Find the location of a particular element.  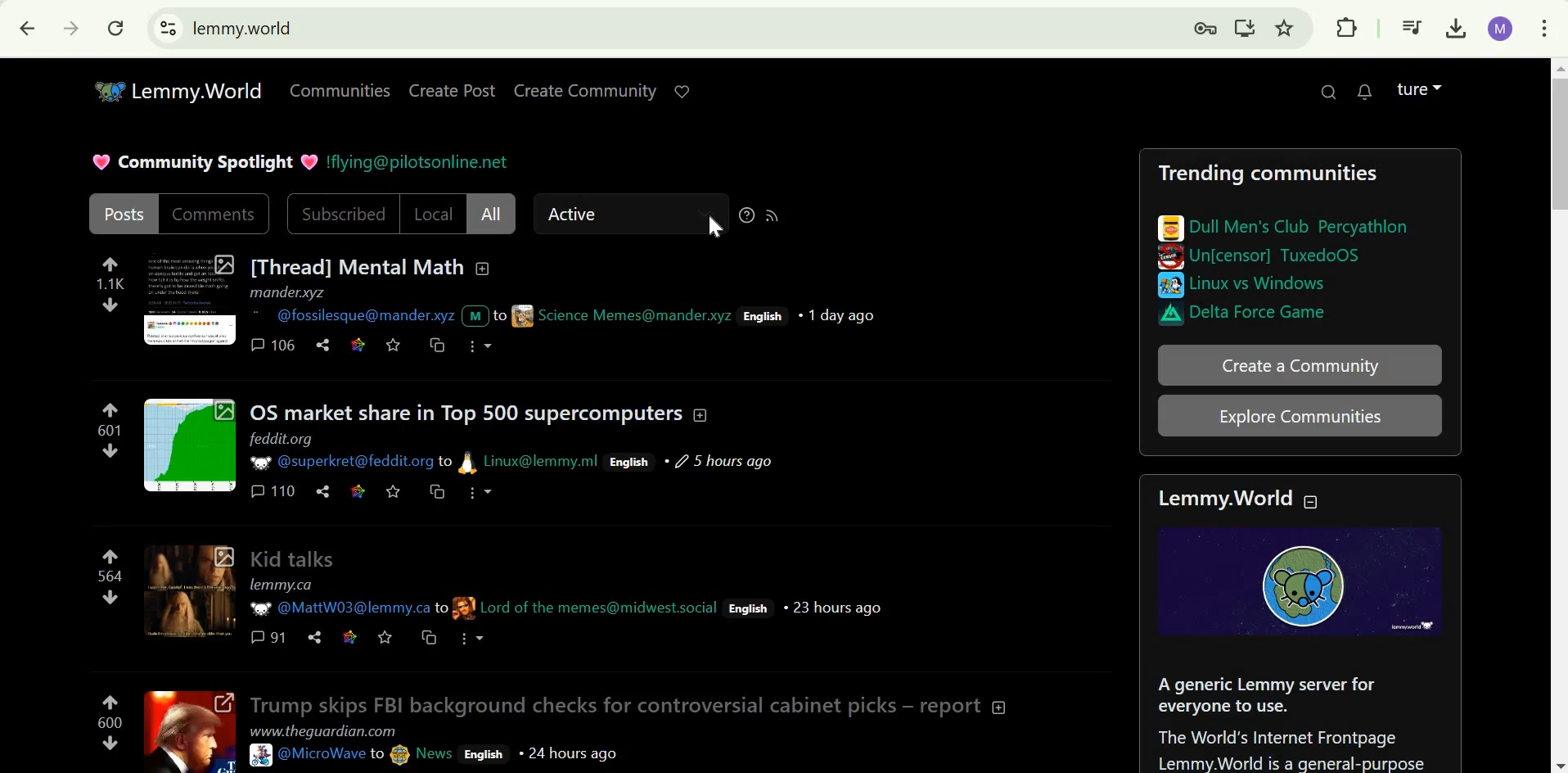

Delta force game is located at coordinates (1265, 313).